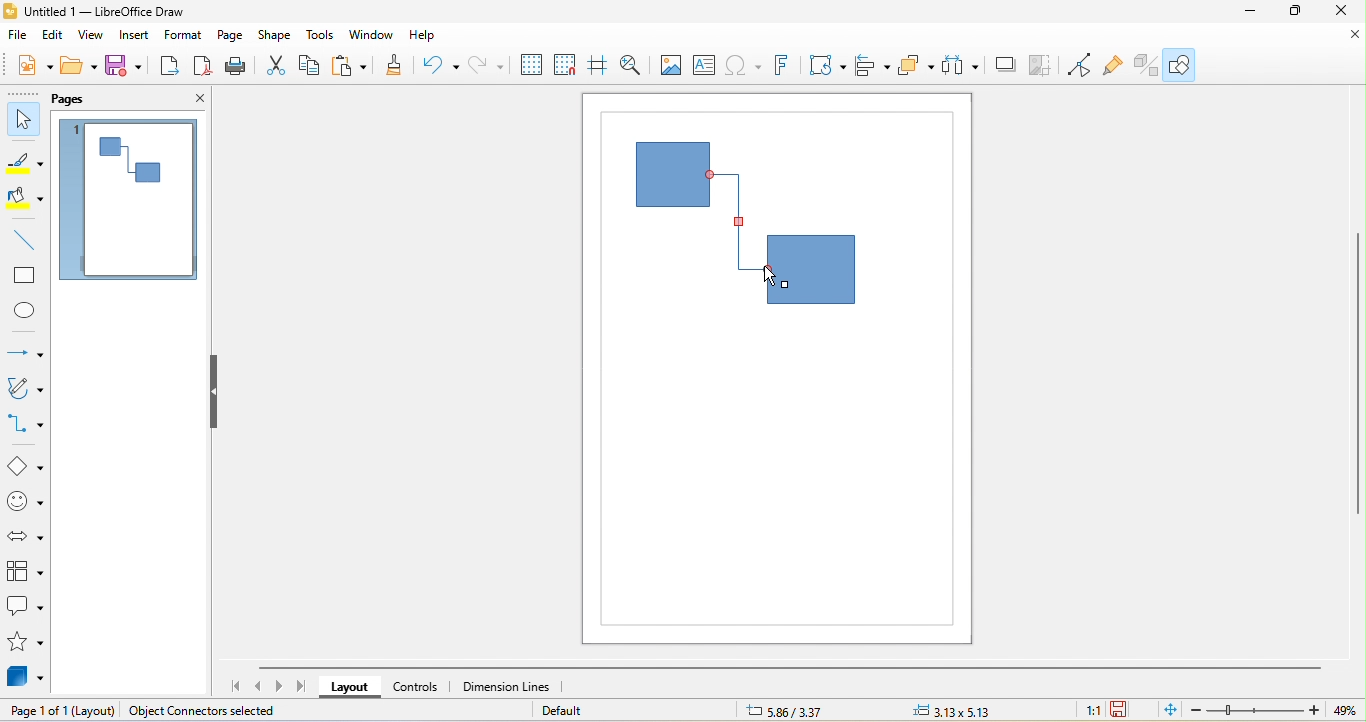  Describe the element at coordinates (24, 352) in the screenshot. I see `lines and arrow` at that location.